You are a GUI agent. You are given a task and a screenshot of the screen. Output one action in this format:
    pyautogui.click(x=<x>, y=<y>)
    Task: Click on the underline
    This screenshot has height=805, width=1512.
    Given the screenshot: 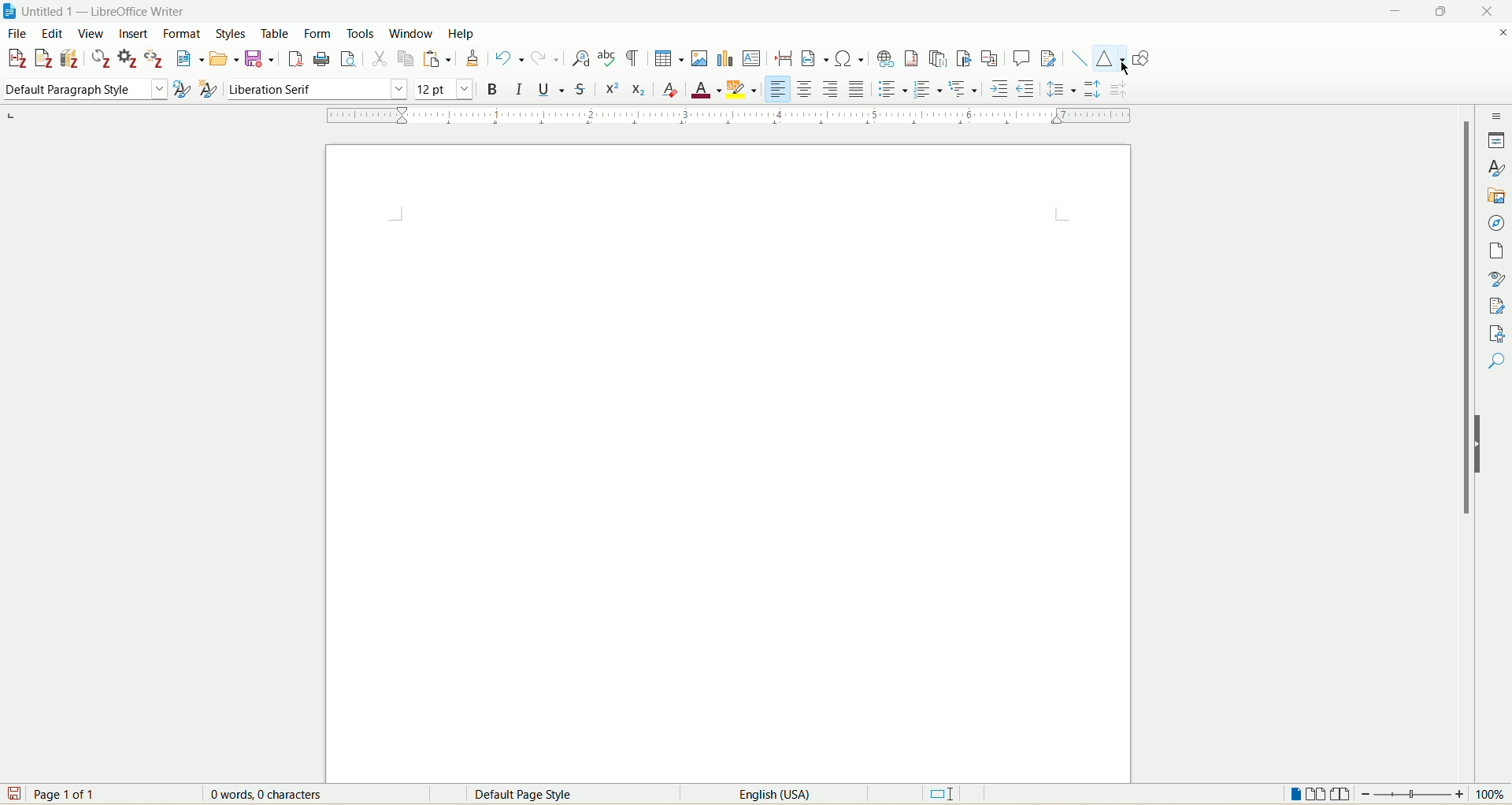 What is the action you would take?
    pyautogui.click(x=549, y=87)
    